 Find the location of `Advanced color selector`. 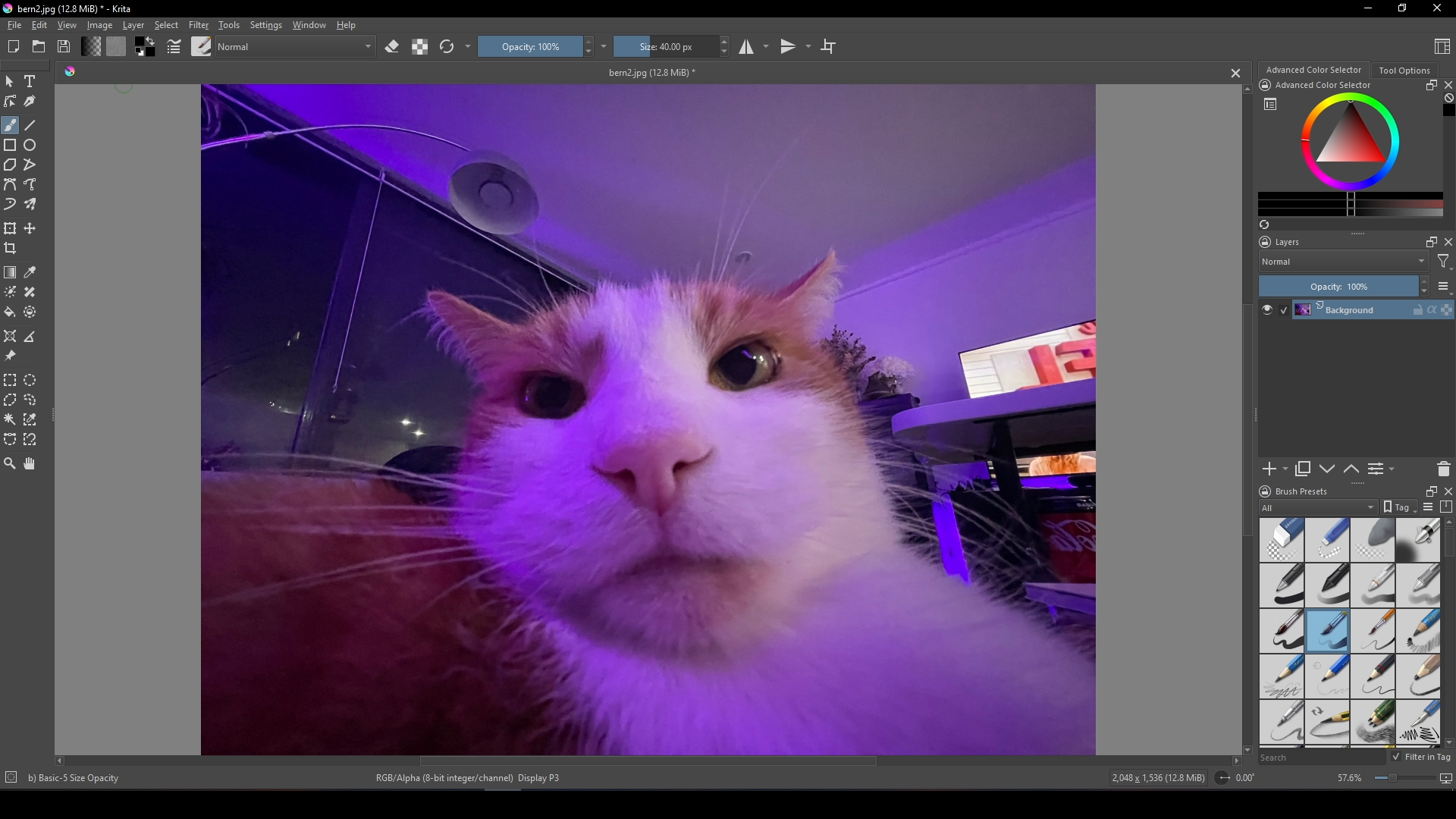

Advanced color selector is located at coordinates (1324, 85).